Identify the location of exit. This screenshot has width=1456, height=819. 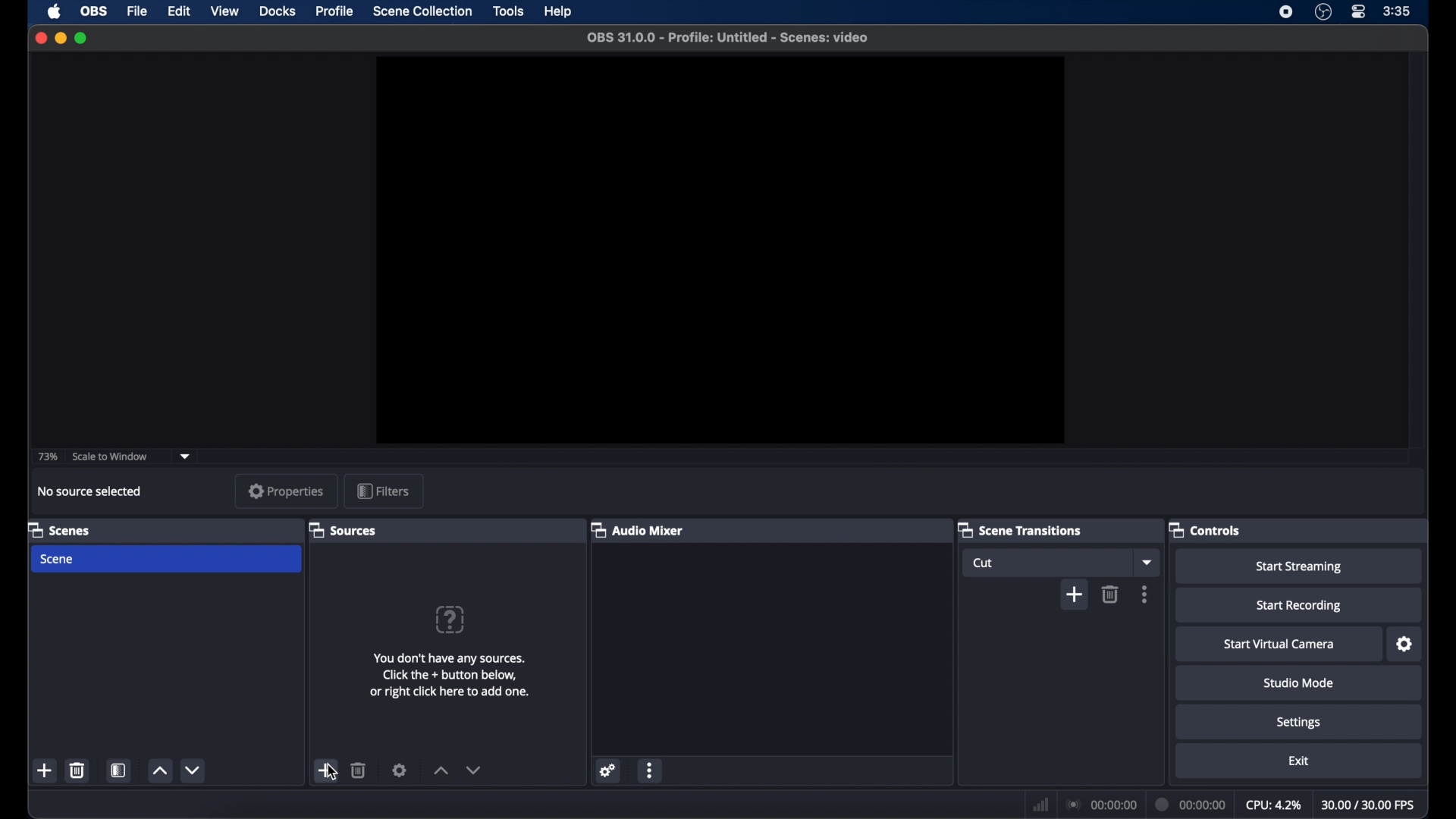
(1298, 760).